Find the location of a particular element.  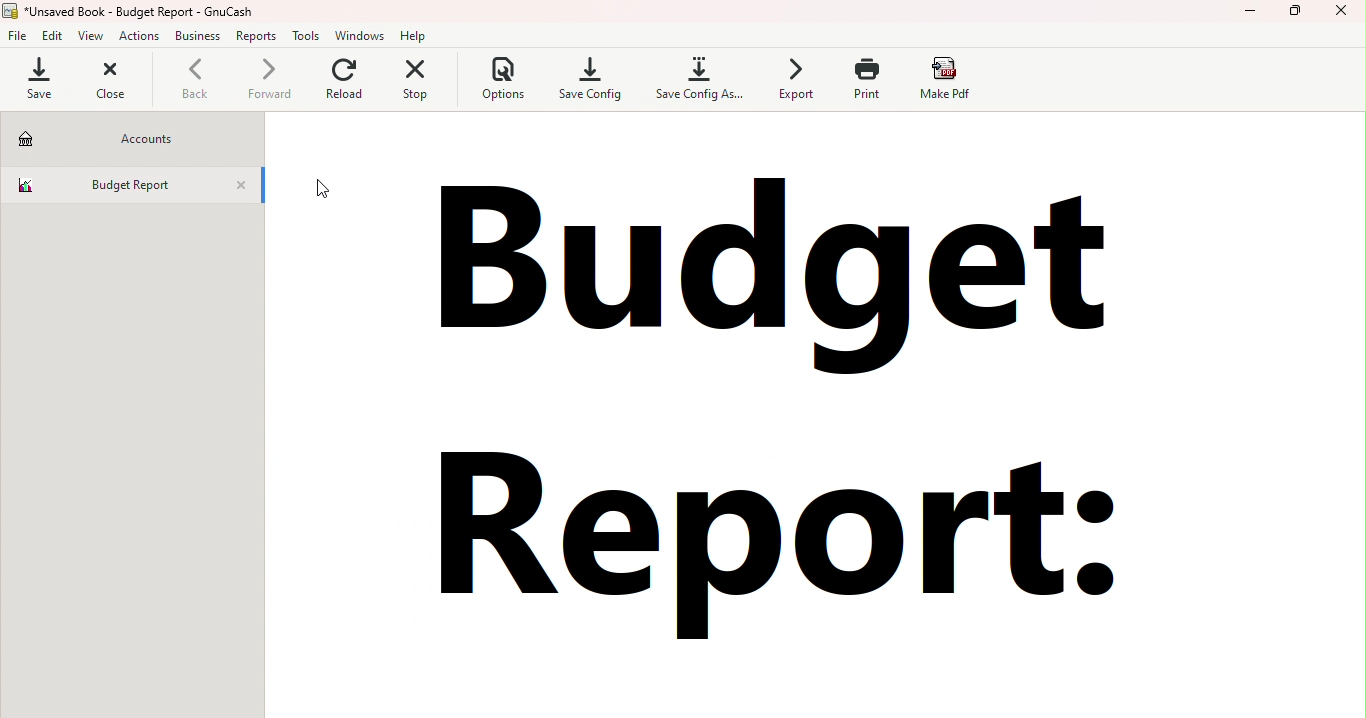

Maximize is located at coordinates (1296, 14).